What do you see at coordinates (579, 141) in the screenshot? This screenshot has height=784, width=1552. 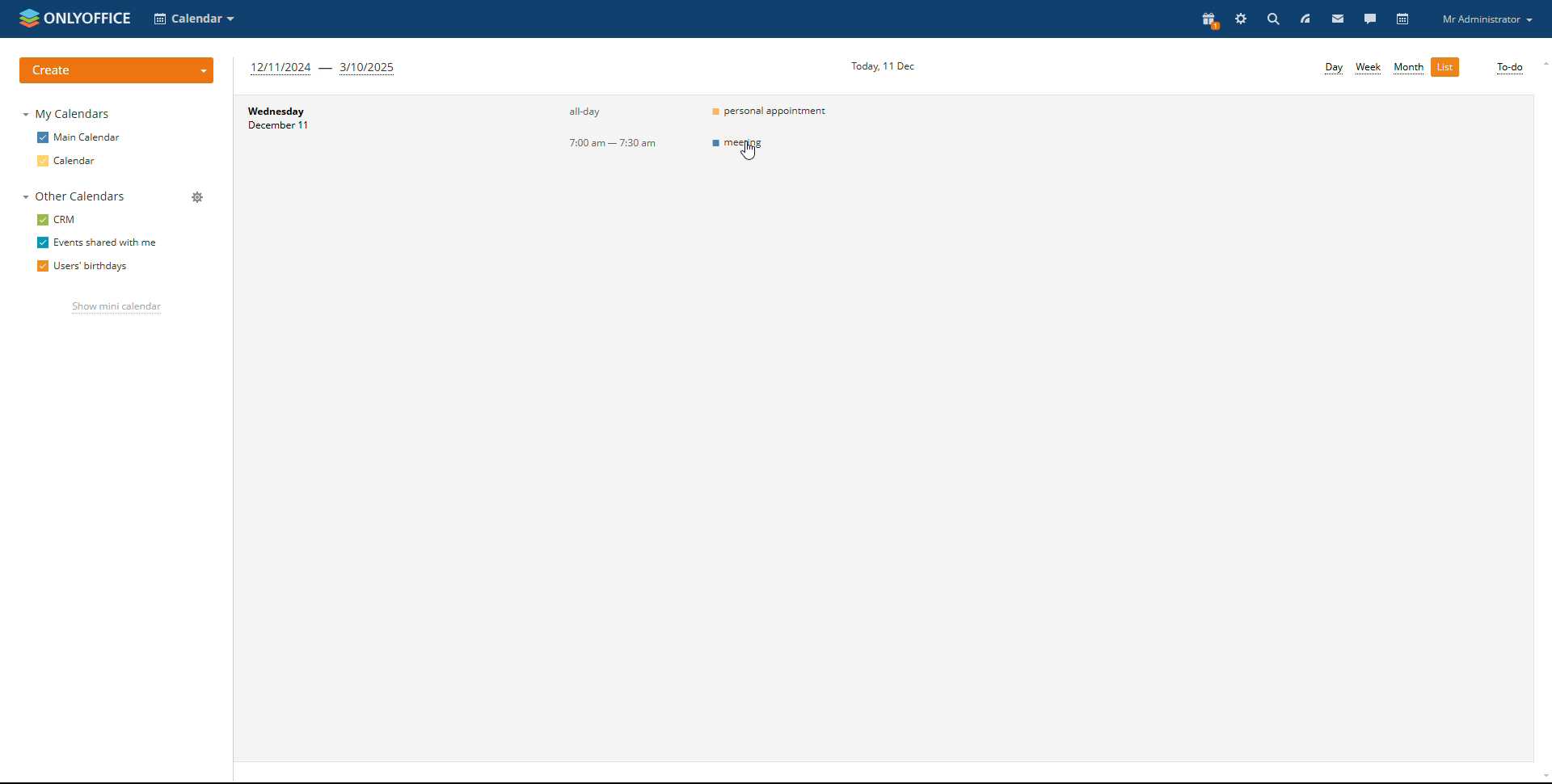 I see `event timing` at bounding box center [579, 141].